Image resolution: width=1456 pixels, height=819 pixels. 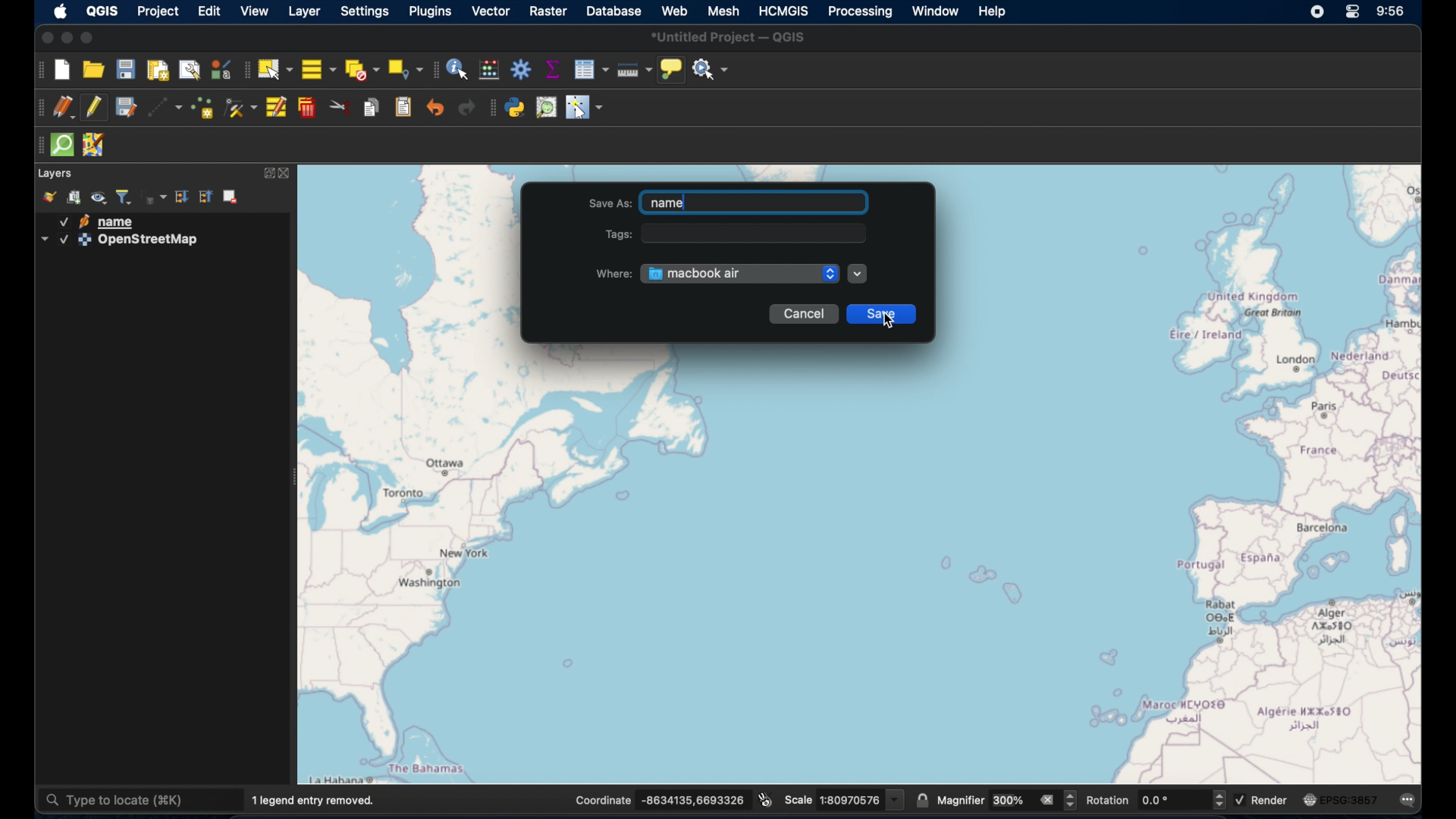 What do you see at coordinates (1410, 801) in the screenshot?
I see `messages` at bounding box center [1410, 801].